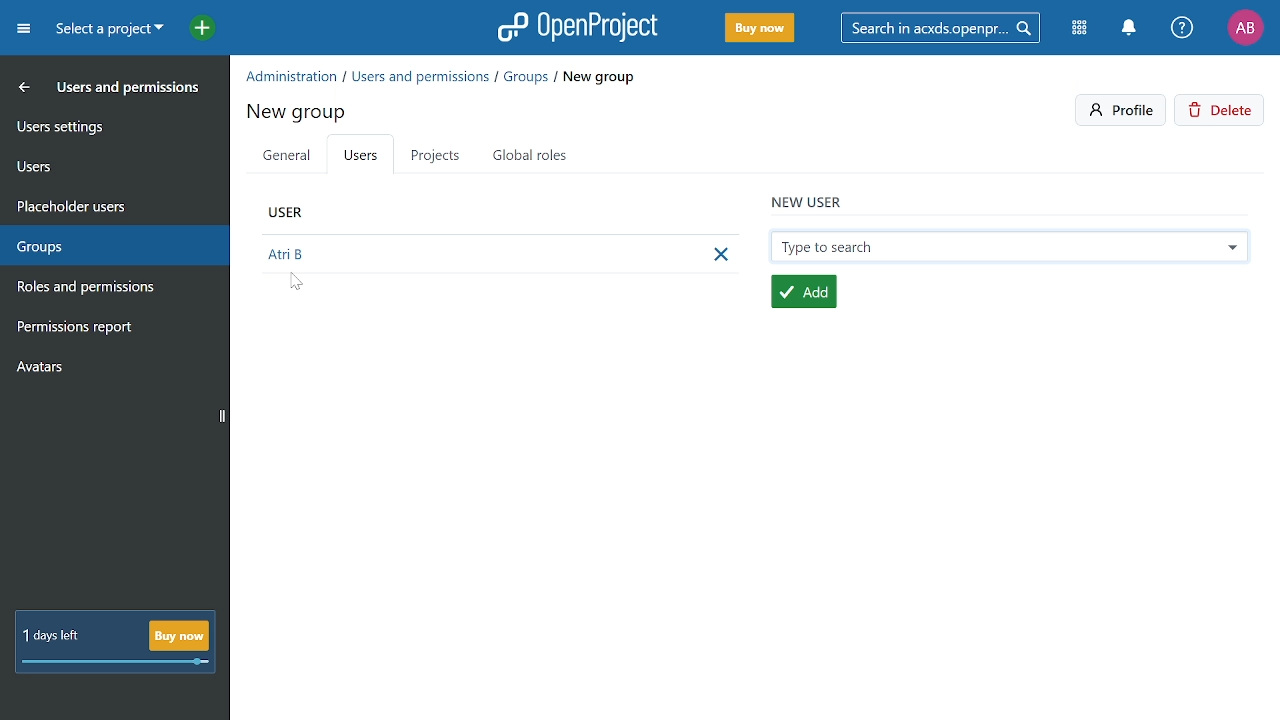 This screenshot has width=1280, height=720. Describe the element at coordinates (578, 27) in the screenshot. I see `Open project logo` at that location.